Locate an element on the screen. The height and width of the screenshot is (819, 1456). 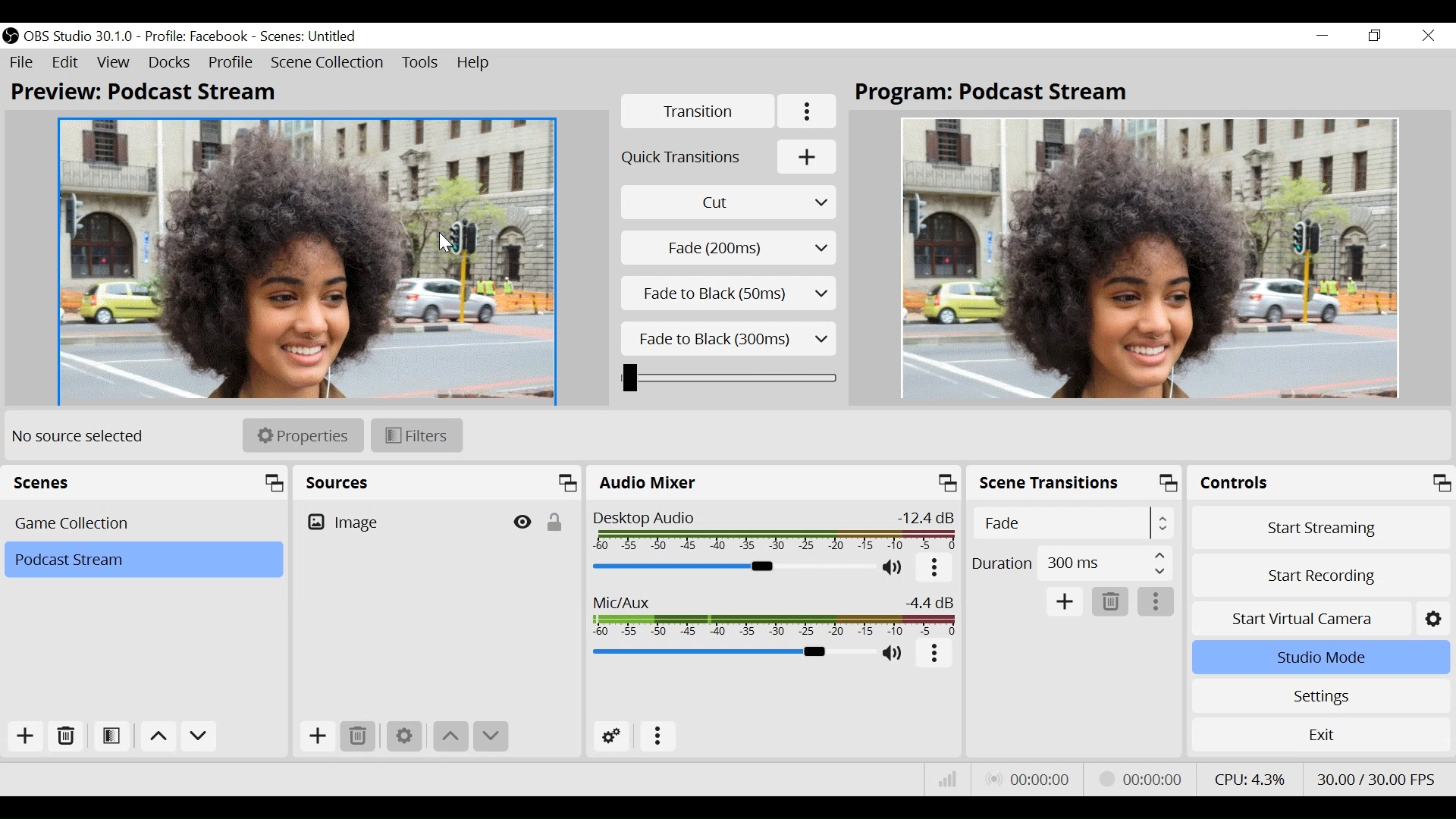
Select Transition is located at coordinates (729, 202).